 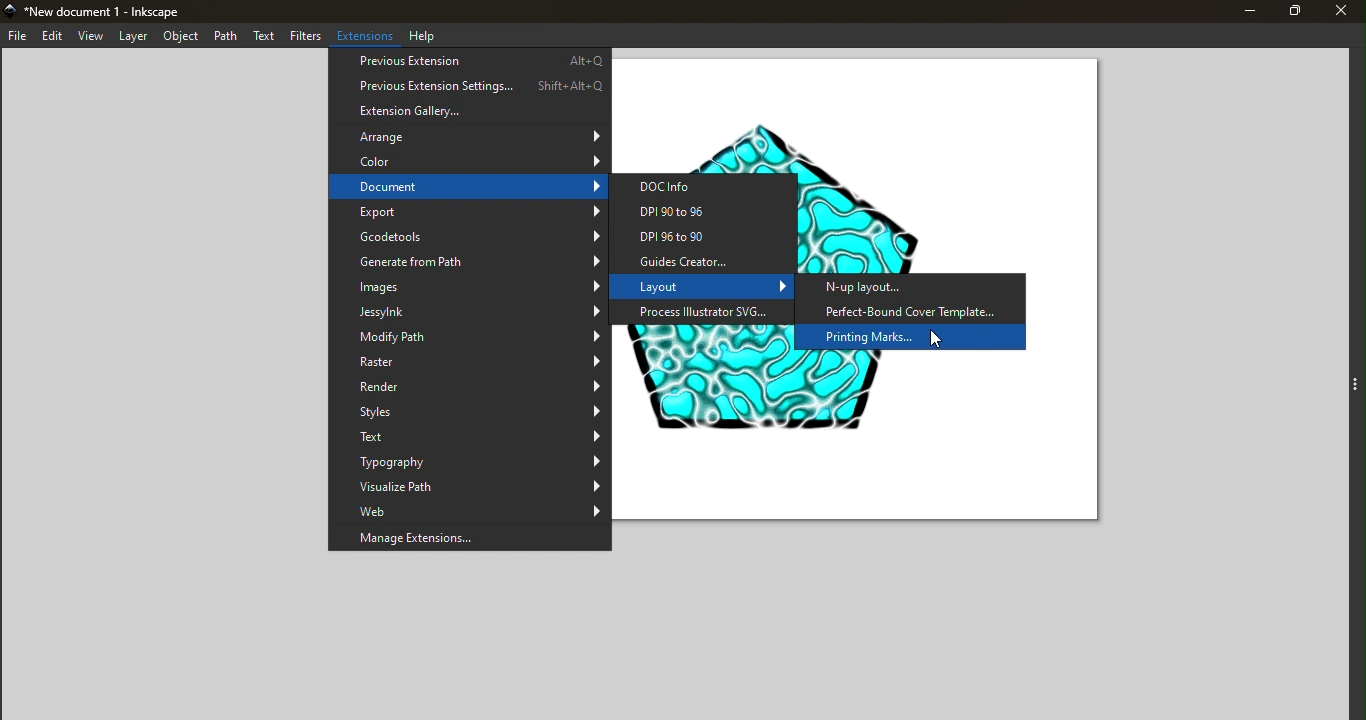 I want to click on Typography, so click(x=471, y=462).